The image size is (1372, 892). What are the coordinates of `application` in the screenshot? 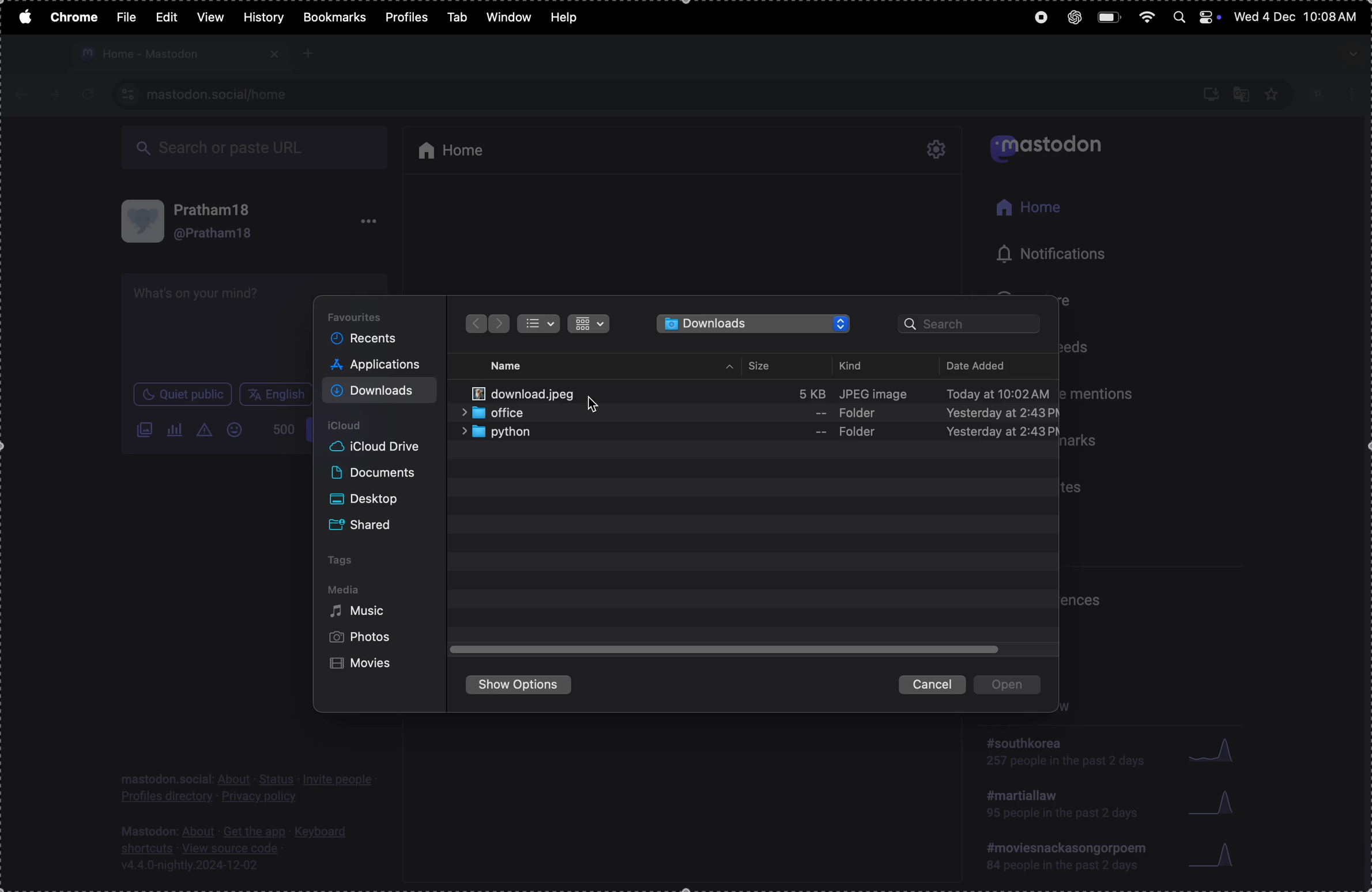 It's located at (381, 366).